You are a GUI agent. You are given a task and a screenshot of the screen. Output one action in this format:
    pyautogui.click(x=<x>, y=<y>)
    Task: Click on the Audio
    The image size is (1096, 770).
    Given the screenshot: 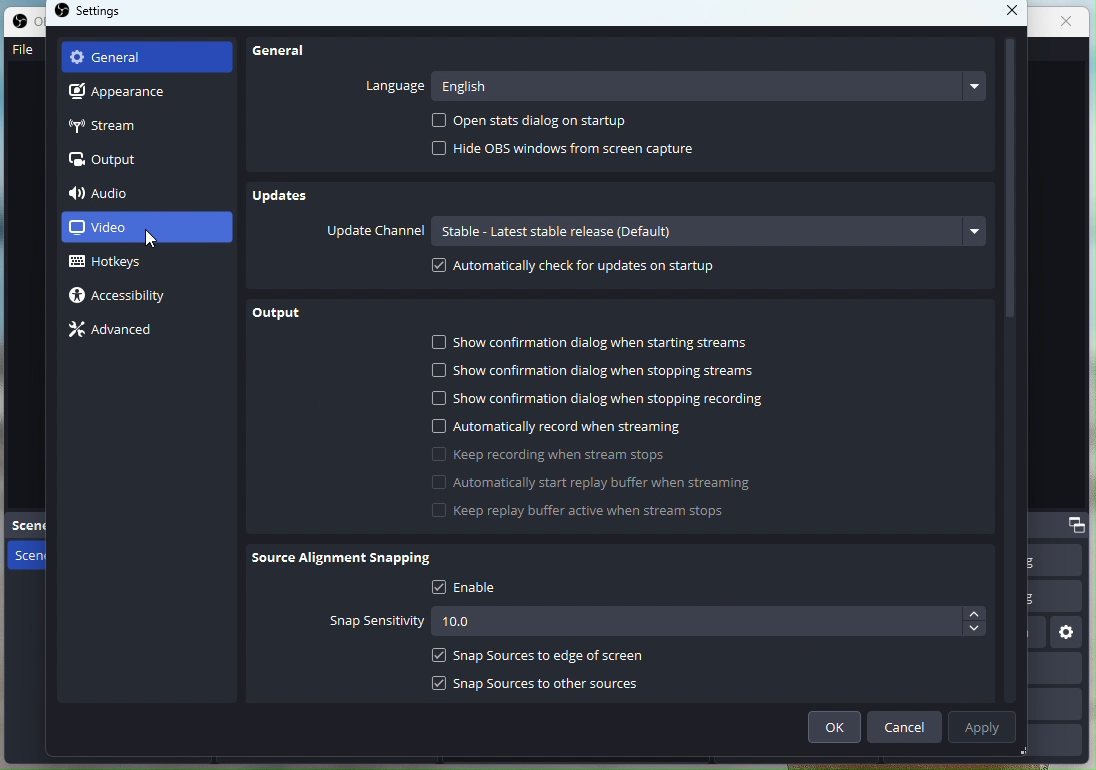 What is the action you would take?
    pyautogui.click(x=132, y=193)
    